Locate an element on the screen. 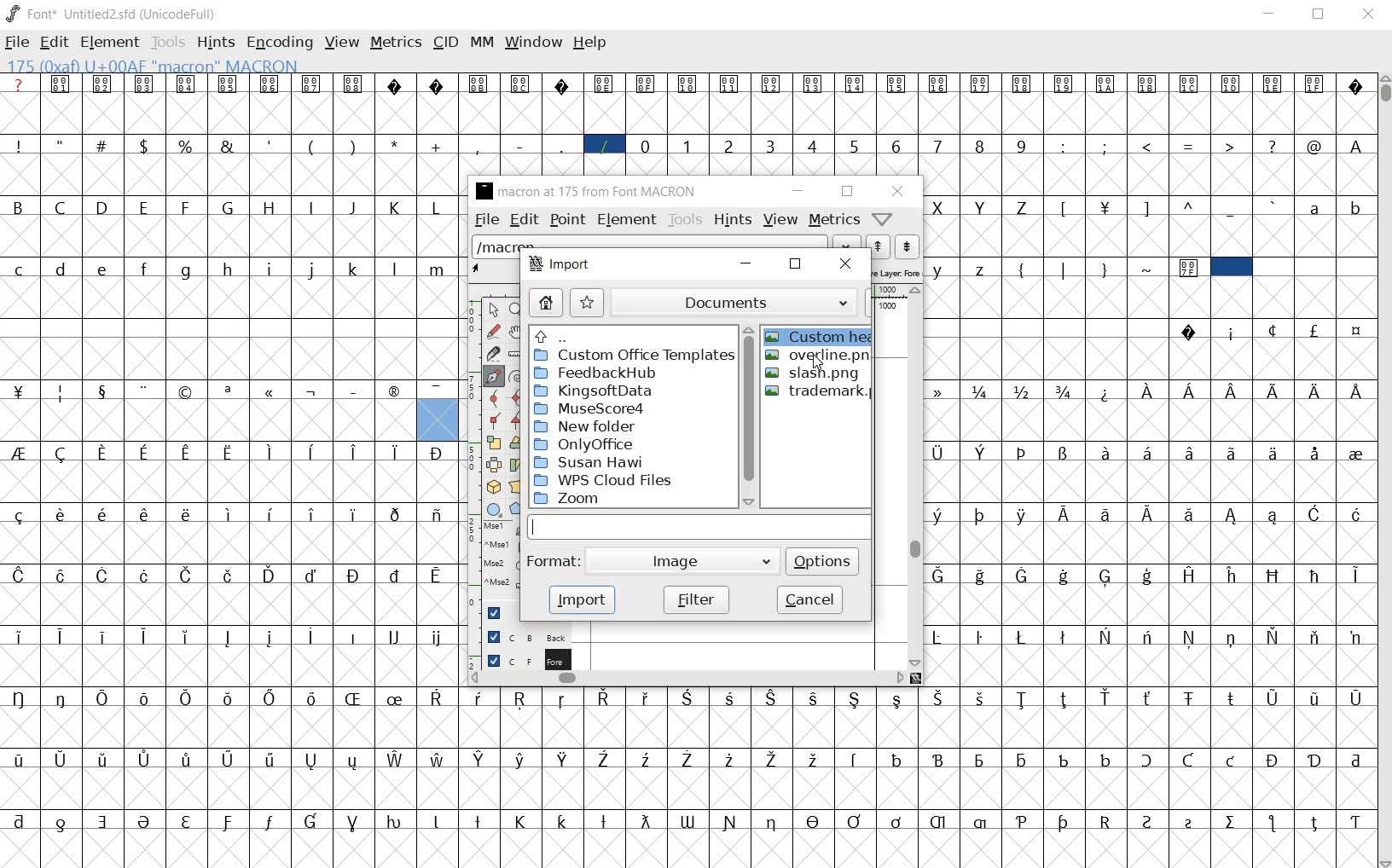 Image resolution: width=1392 pixels, height=868 pixels. Symbol is located at coordinates (1147, 513).